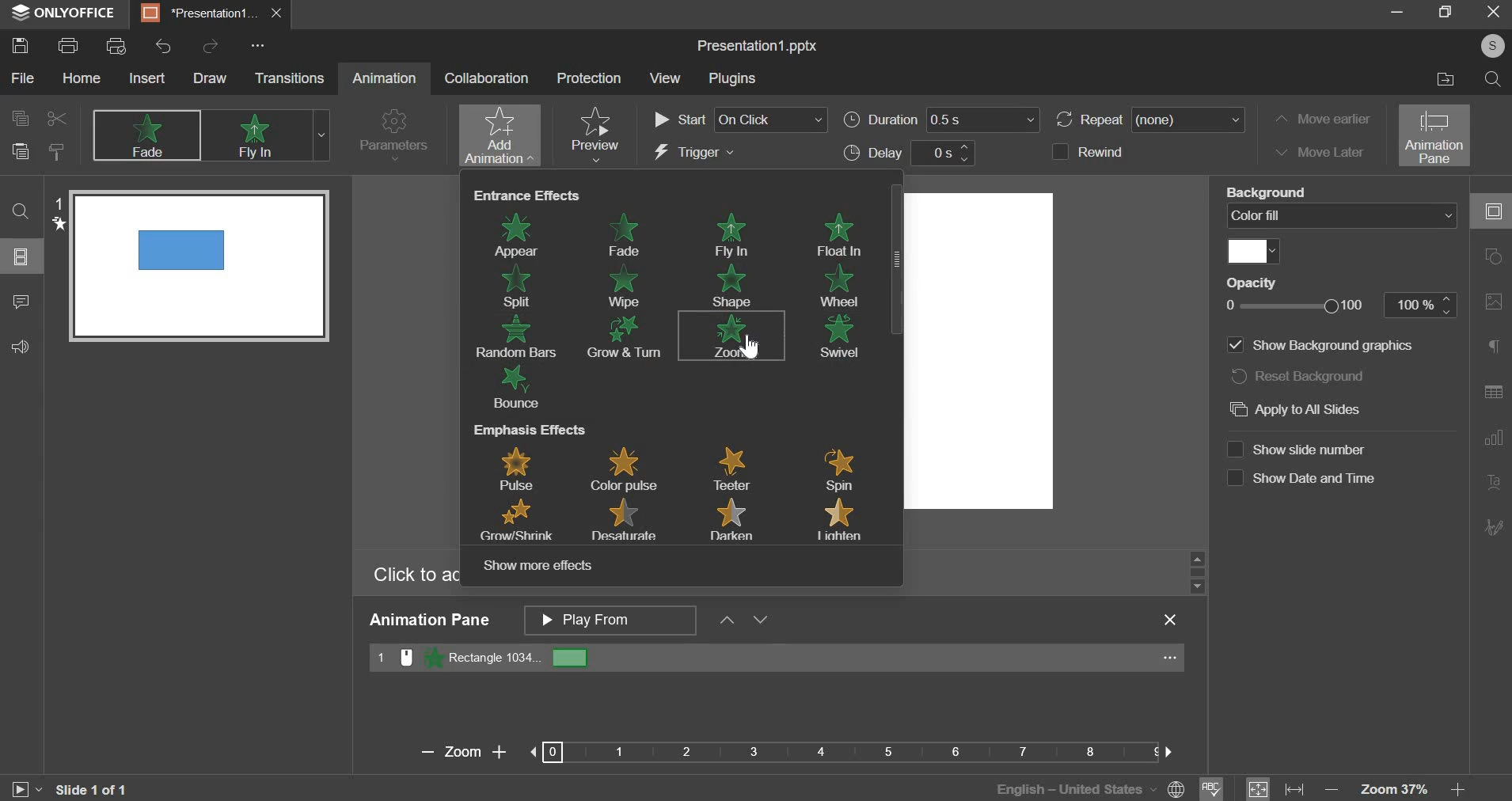  What do you see at coordinates (1073, 790) in the screenshot?
I see `English - Unites States` at bounding box center [1073, 790].